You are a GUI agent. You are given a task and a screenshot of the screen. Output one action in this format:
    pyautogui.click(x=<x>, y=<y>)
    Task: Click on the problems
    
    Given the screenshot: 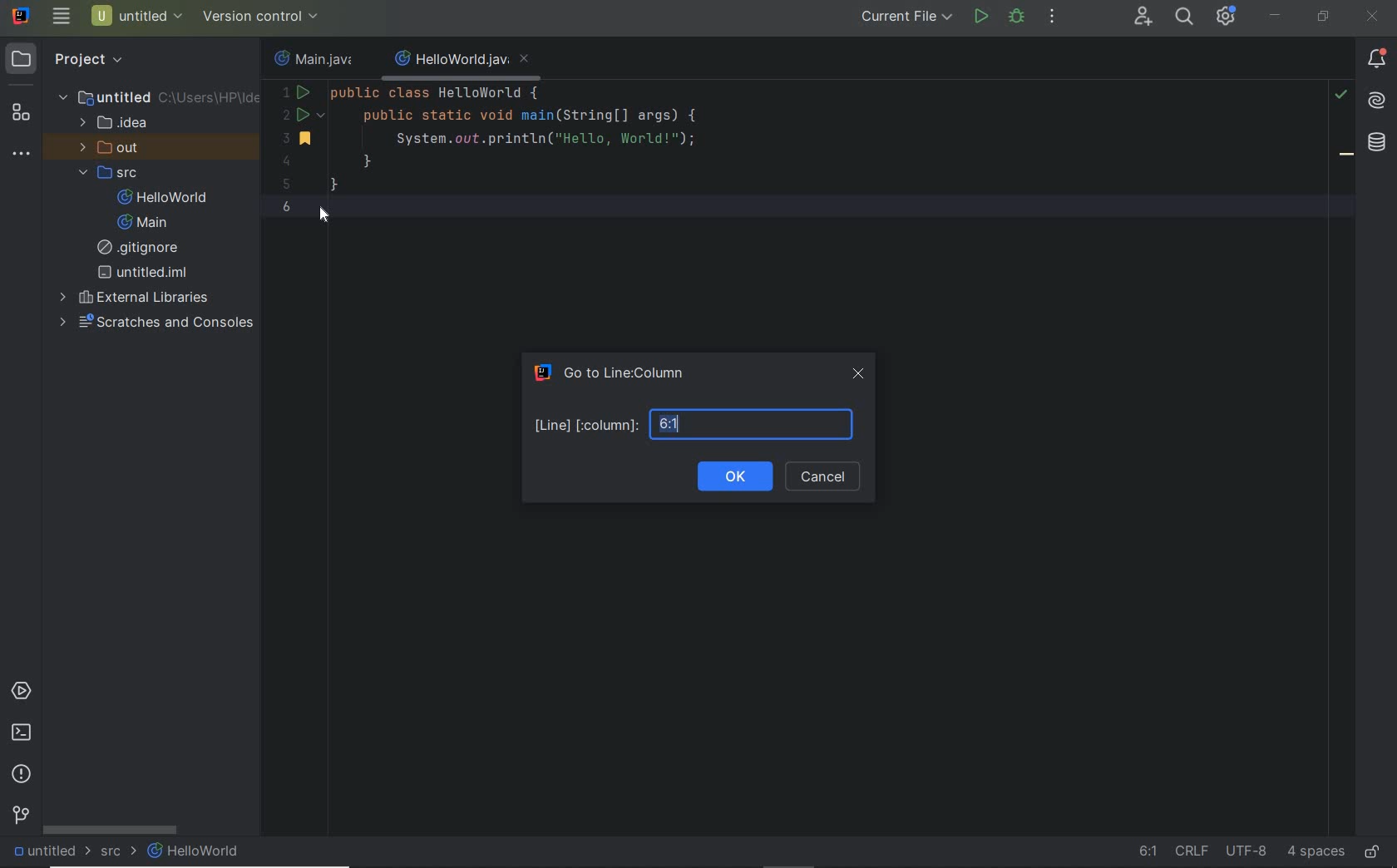 What is the action you would take?
    pyautogui.click(x=21, y=776)
    